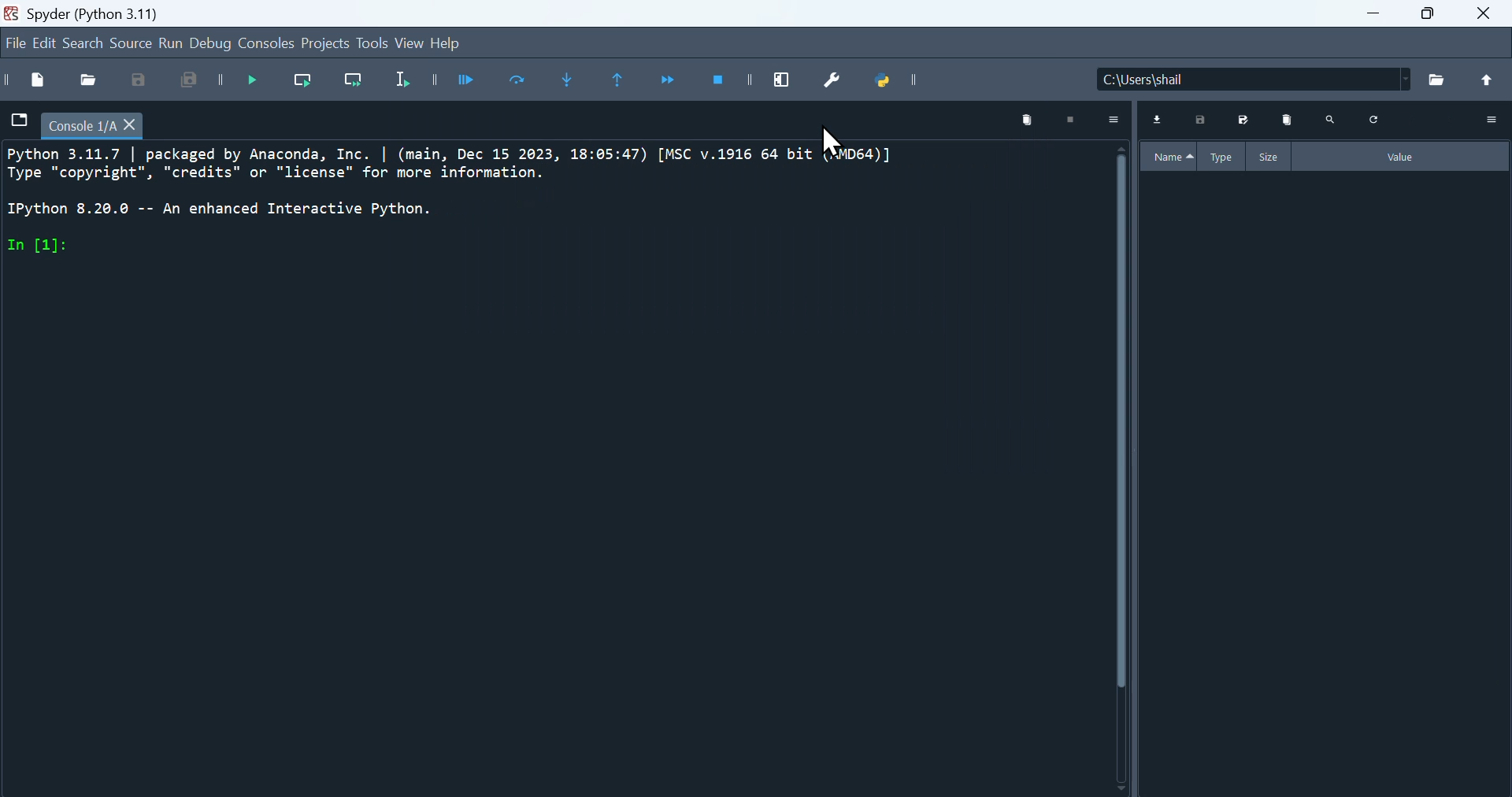 The image size is (1512, 797). What do you see at coordinates (128, 45) in the screenshot?
I see `source` at bounding box center [128, 45].